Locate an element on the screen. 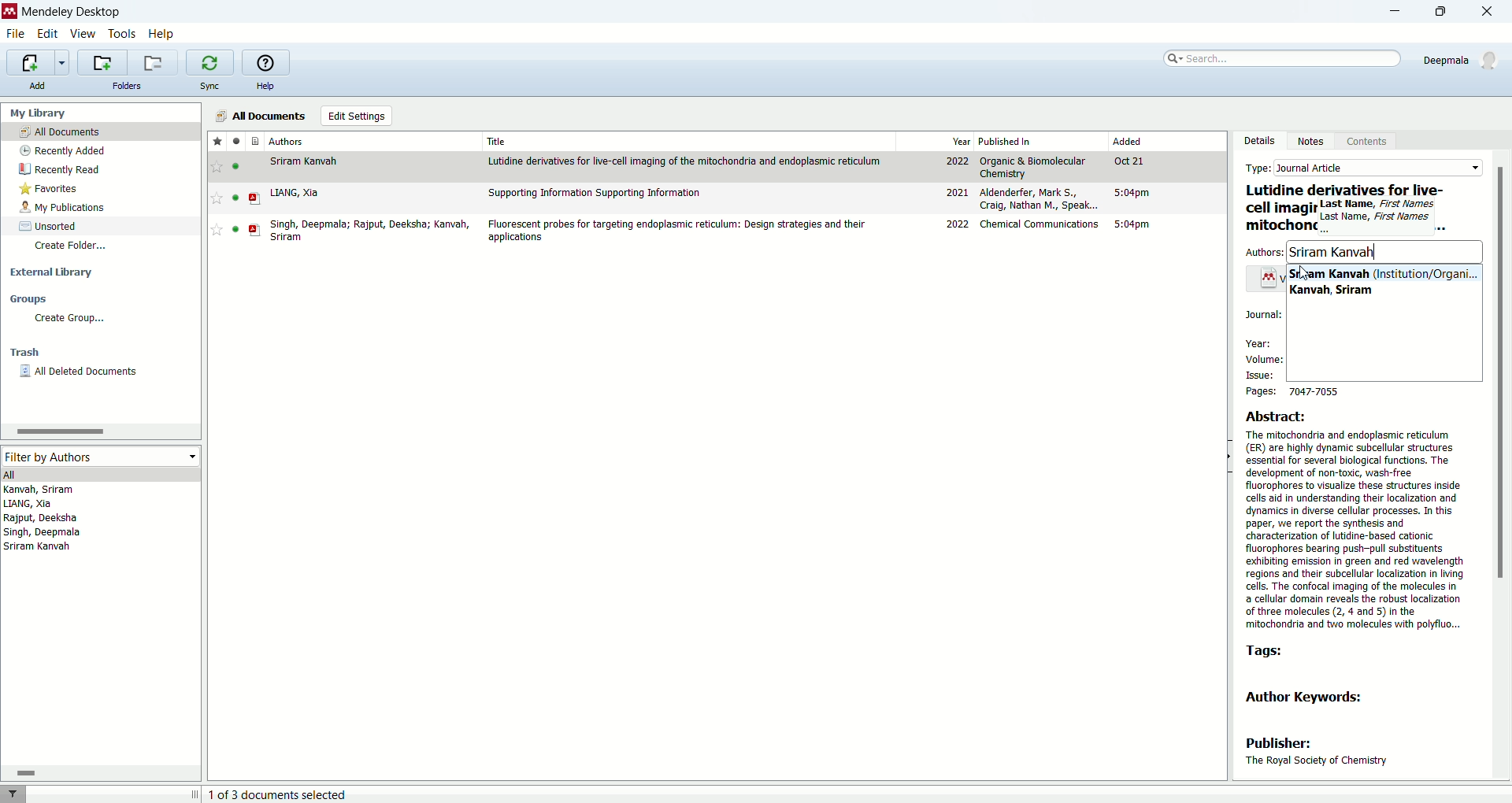 Image resolution: width=1512 pixels, height=803 pixels. edit is located at coordinates (47, 35).